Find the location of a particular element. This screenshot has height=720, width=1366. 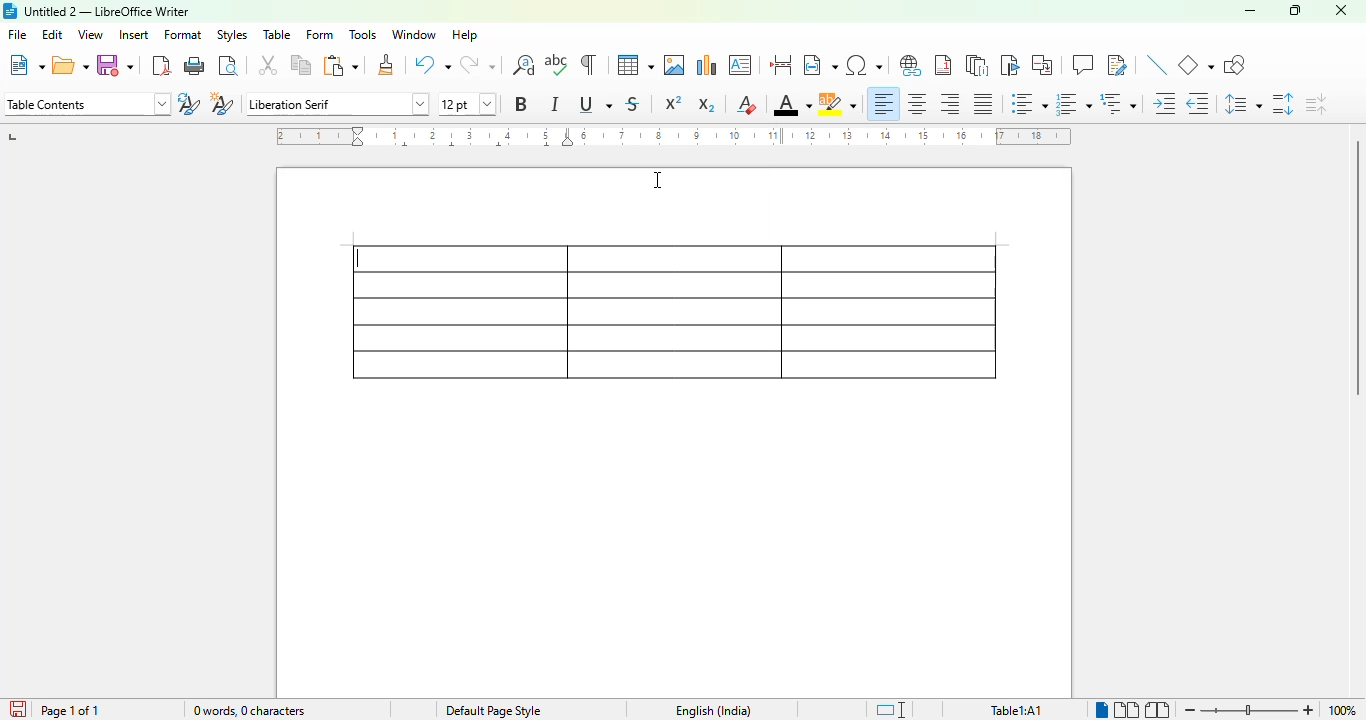

set page style is located at coordinates (86, 103).